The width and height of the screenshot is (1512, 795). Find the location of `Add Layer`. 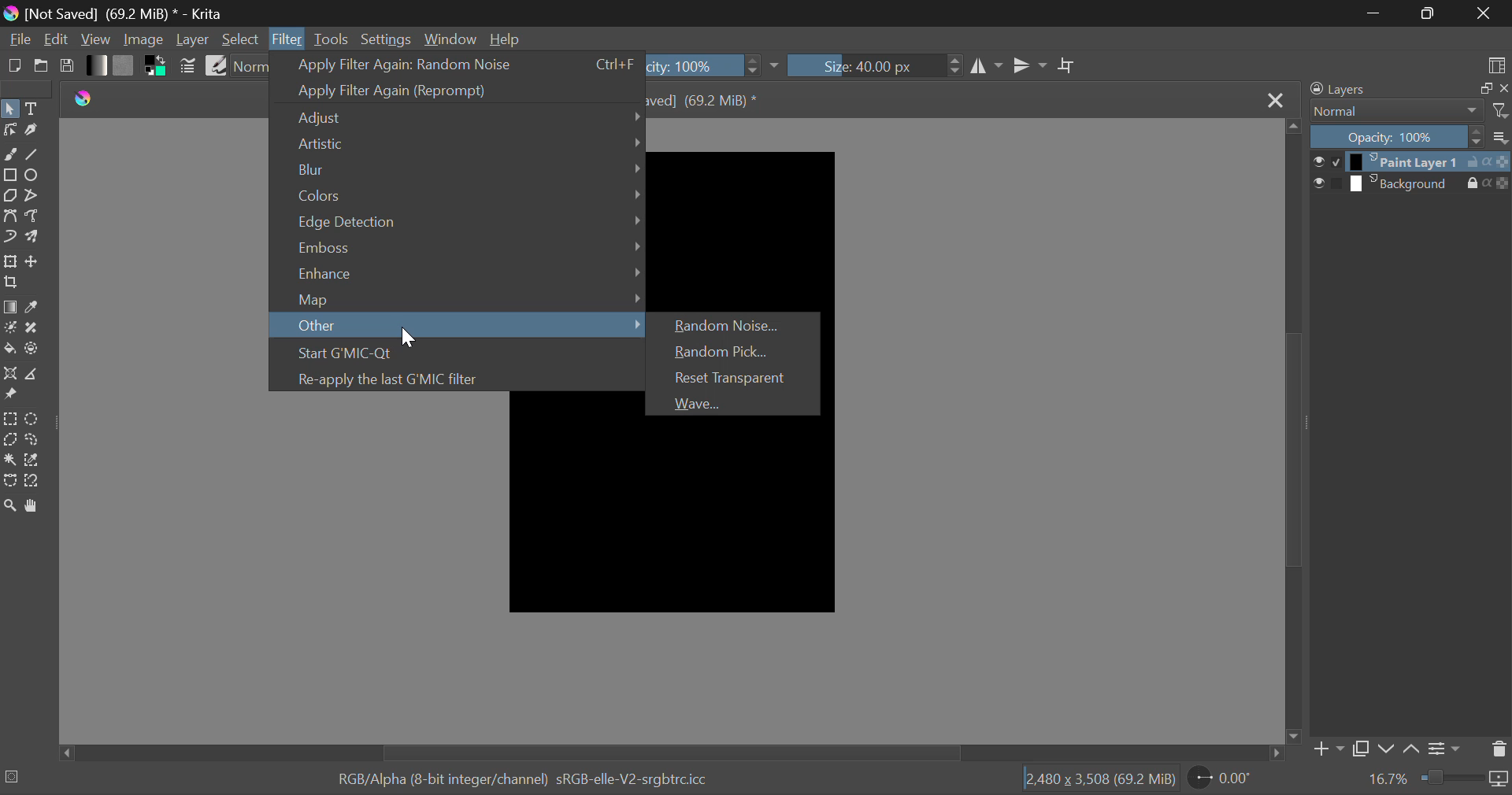

Add Layer is located at coordinates (1325, 748).